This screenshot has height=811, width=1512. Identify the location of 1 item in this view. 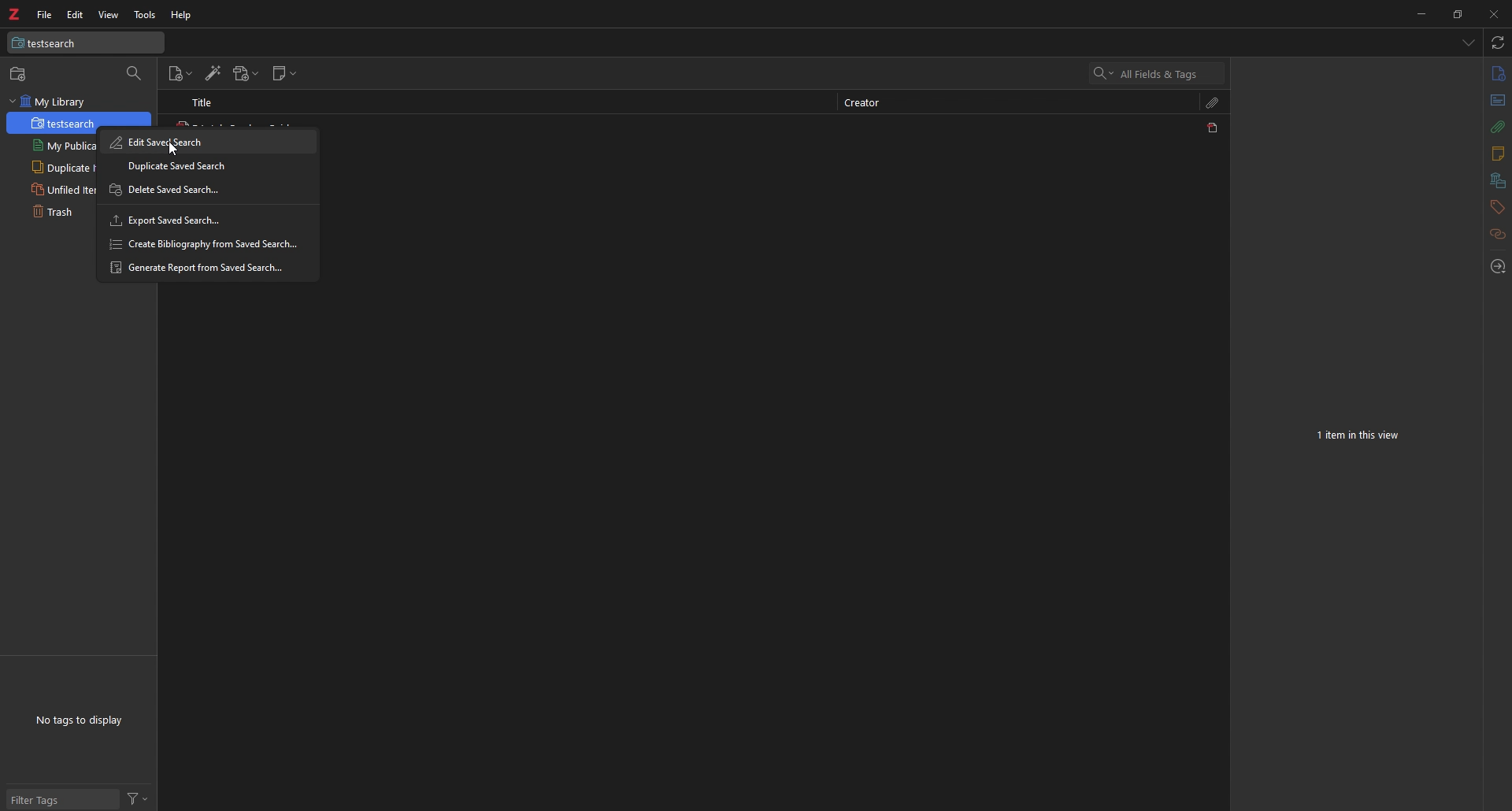
(1360, 435).